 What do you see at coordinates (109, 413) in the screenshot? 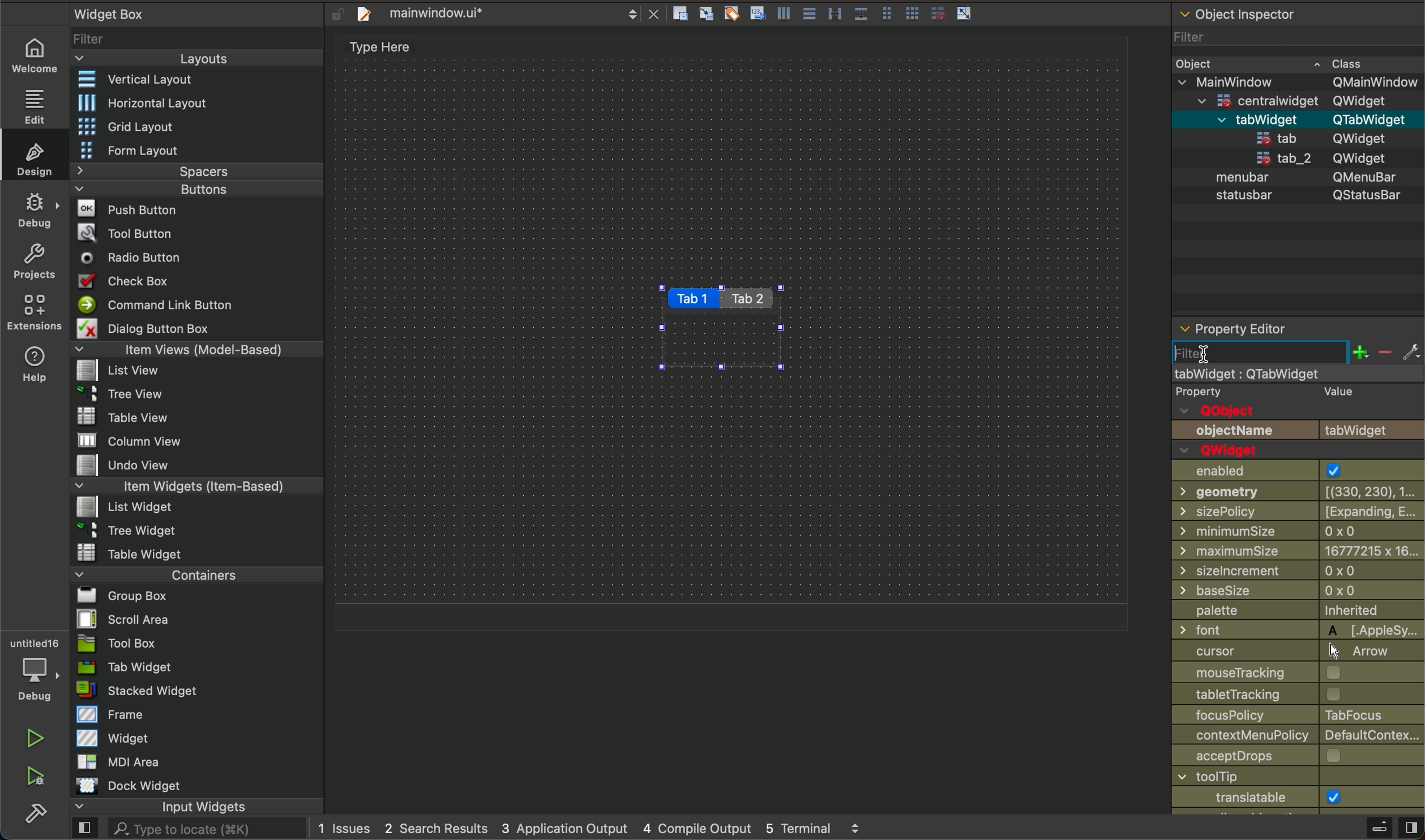
I see `Table View` at bounding box center [109, 413].